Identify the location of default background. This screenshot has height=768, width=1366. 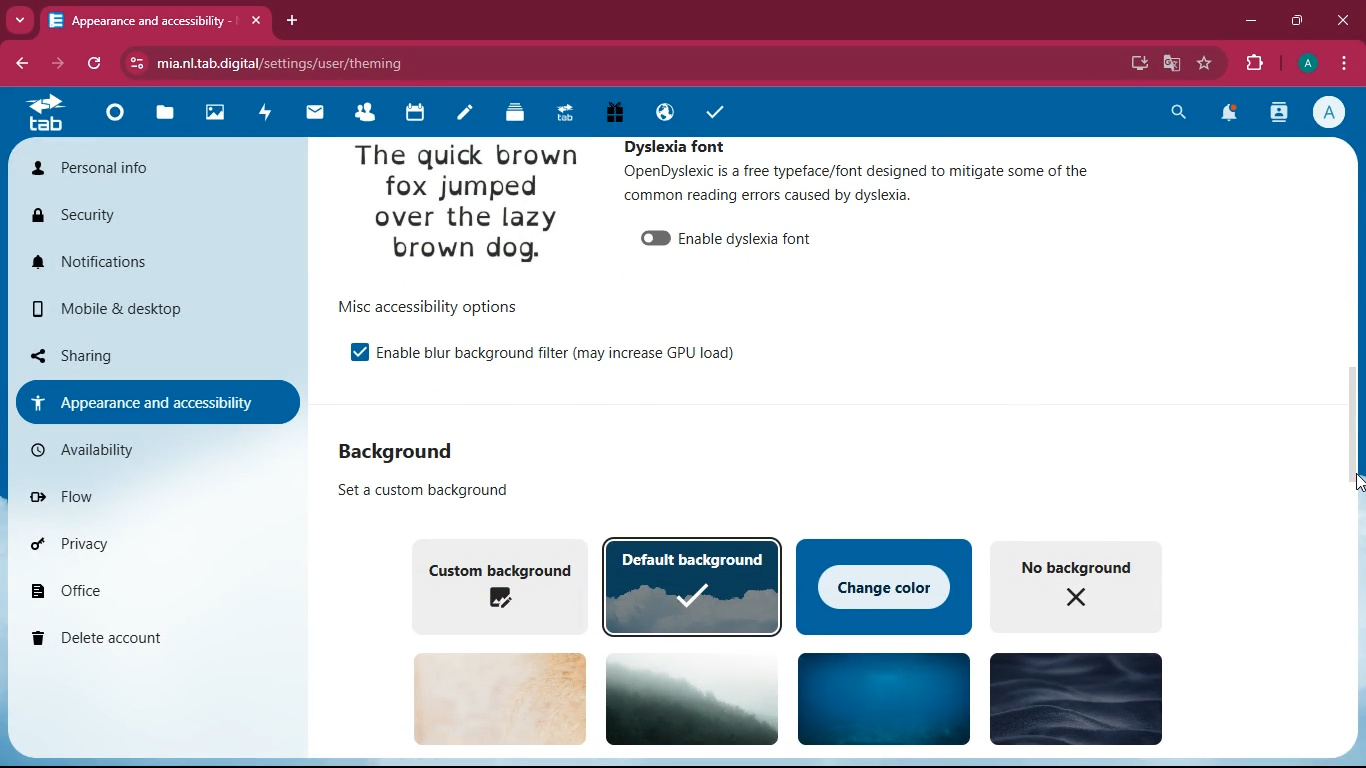
(694, 586).